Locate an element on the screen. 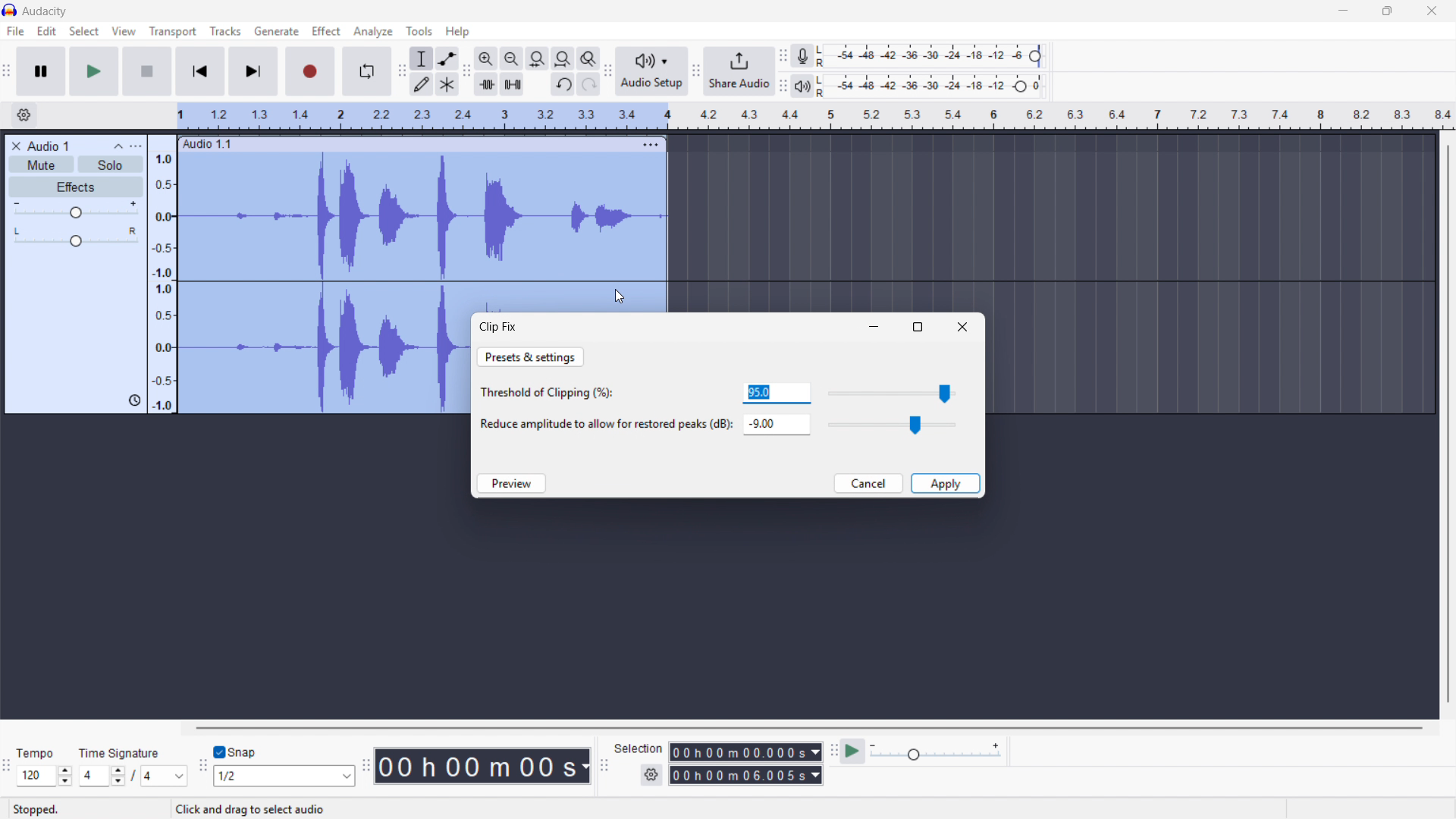 The height and width of the screenshot is (819, 1456). Zoom out is located at coordinates (512, 58).